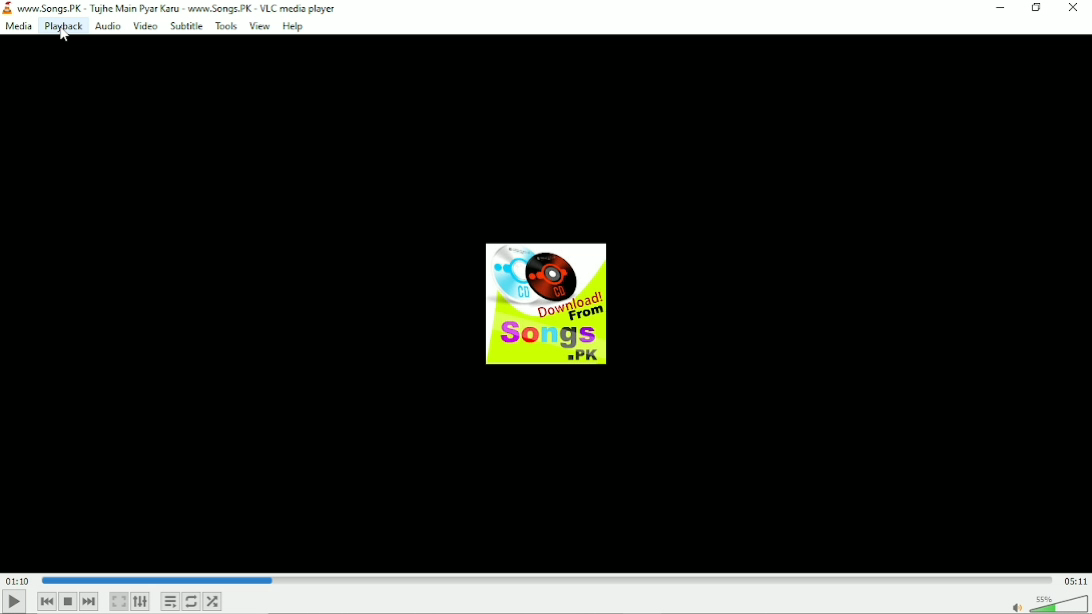  I want to click on cursor, so click(66, 38).